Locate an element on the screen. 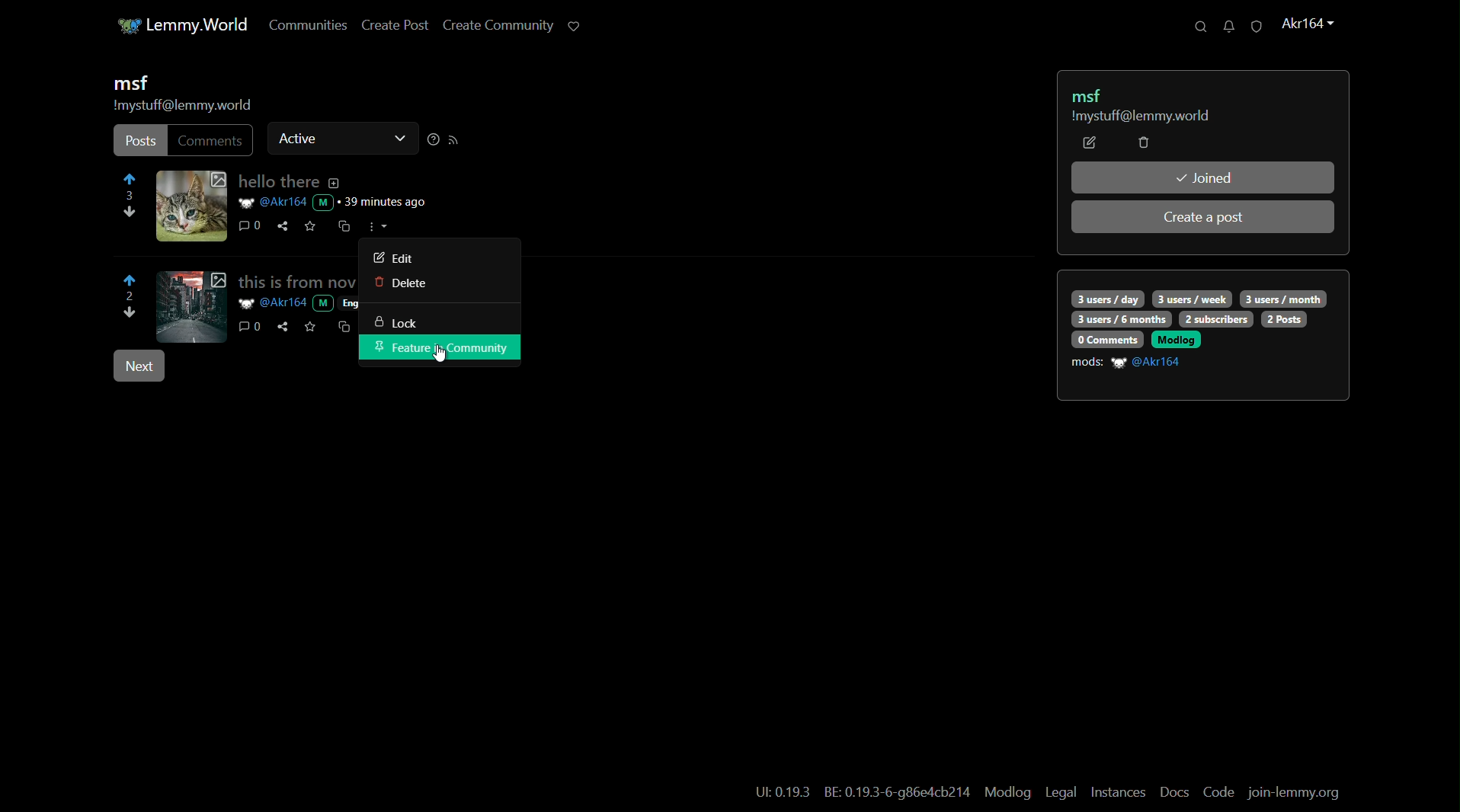  post is located at coordinates (139, 142).